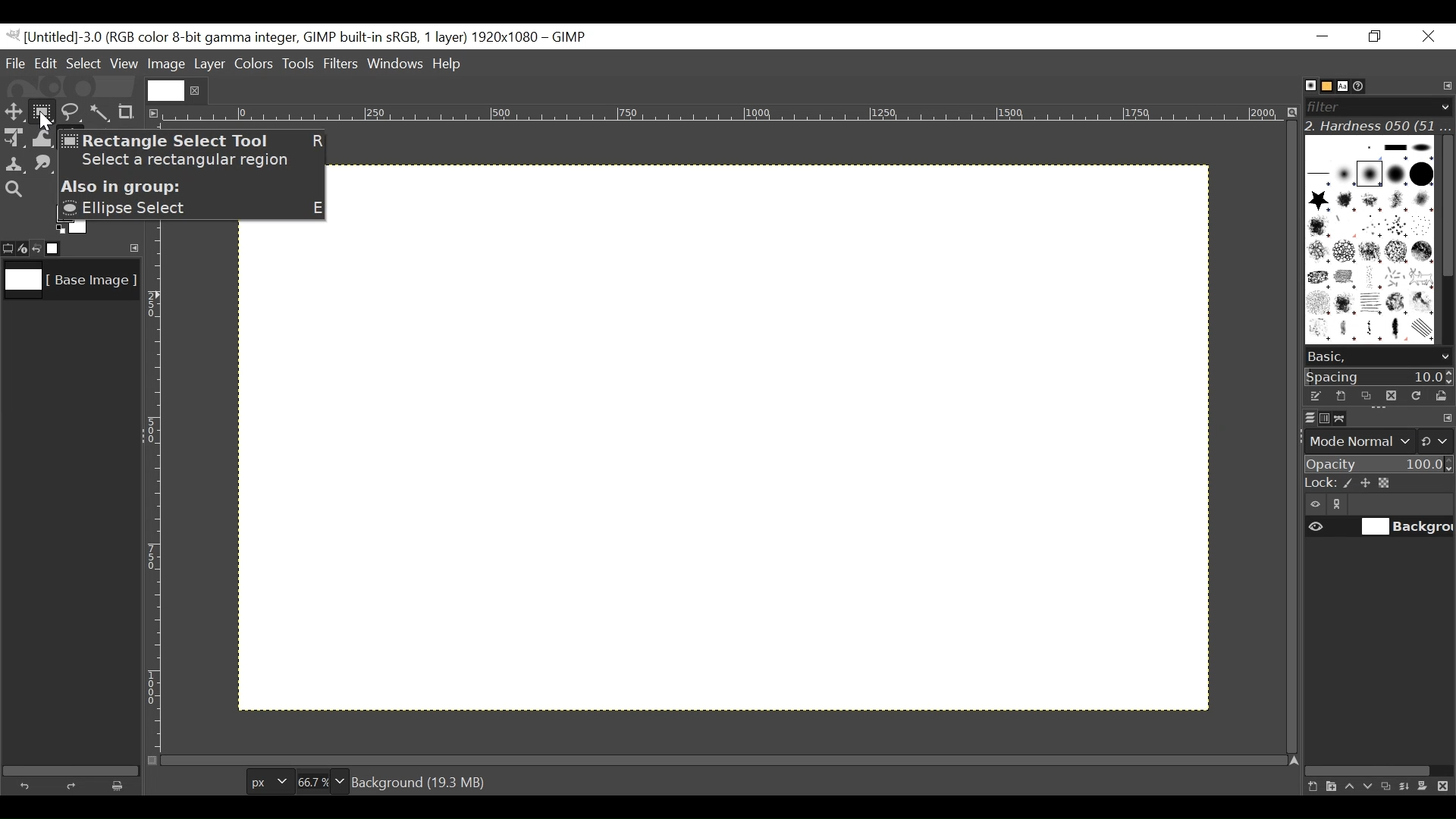  What do you see at coordinates (1369, 785) in the screenshot?
I see `Lower the layer` at bounding box center [1369, 785].